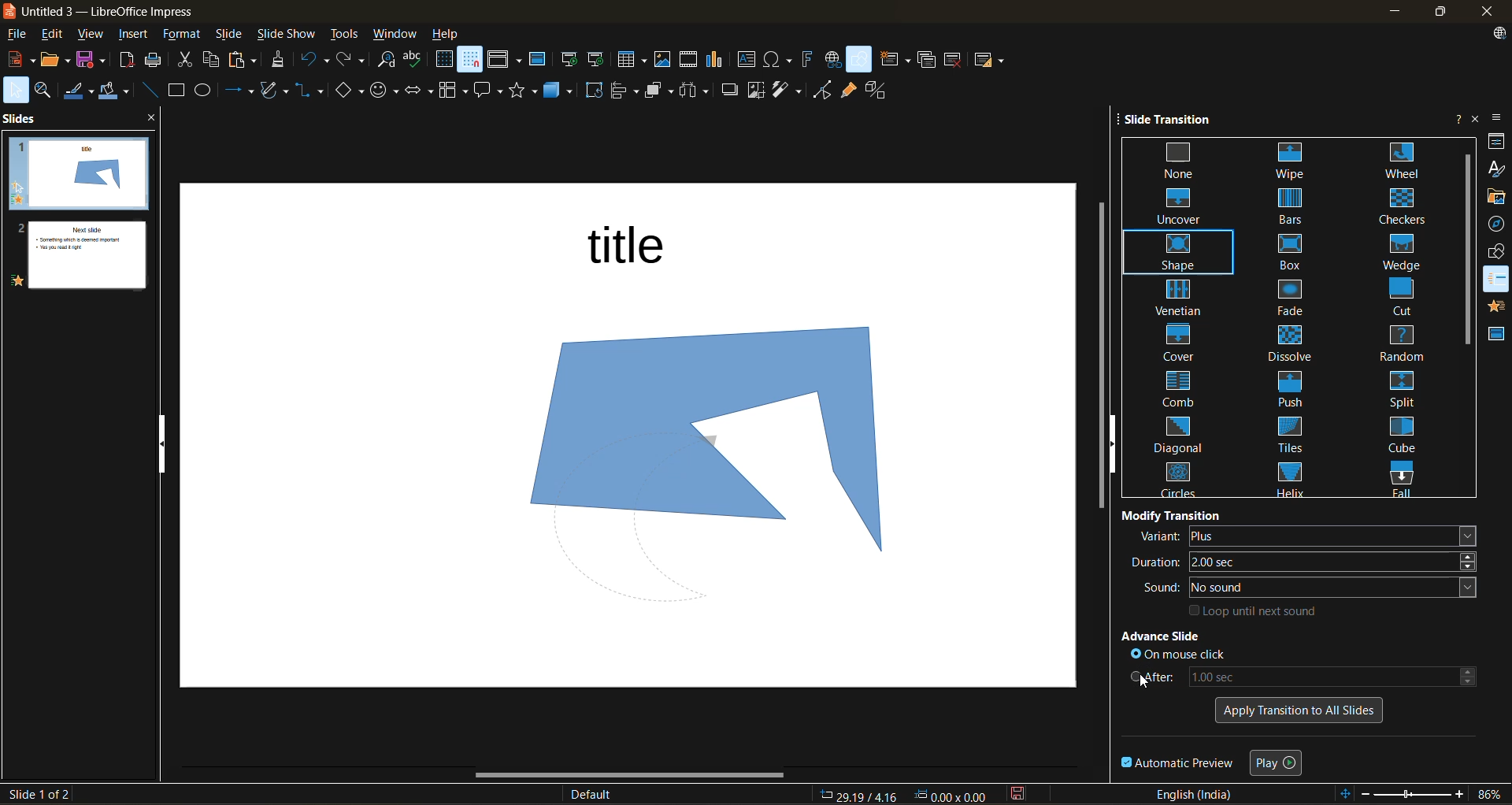  What do you see at coordinates (562, 90) in the screenshot?
I see `3d objects` at bounding box center [562, 90].